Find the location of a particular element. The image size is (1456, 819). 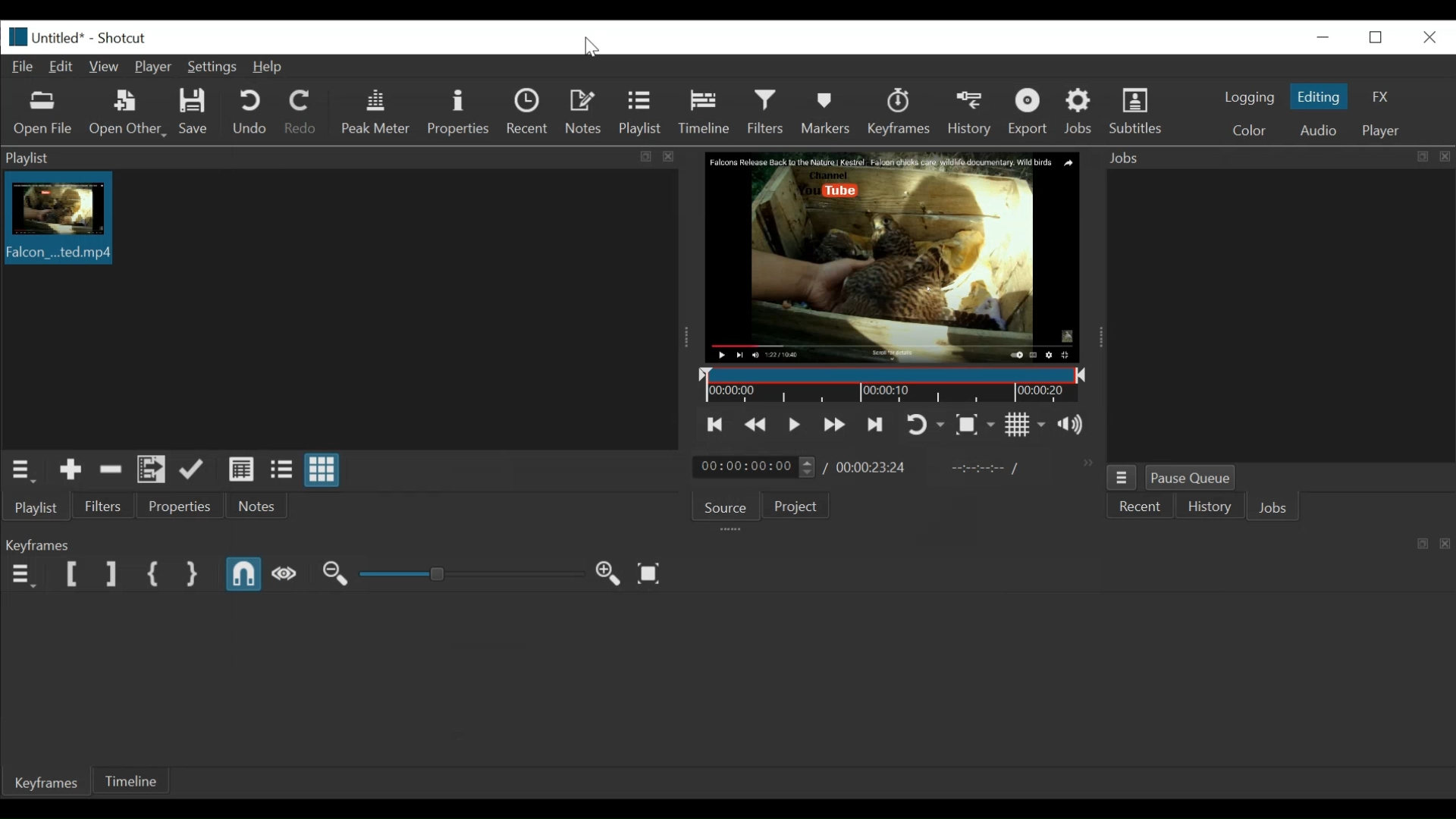

logging is located at coordinates (1250, 99).